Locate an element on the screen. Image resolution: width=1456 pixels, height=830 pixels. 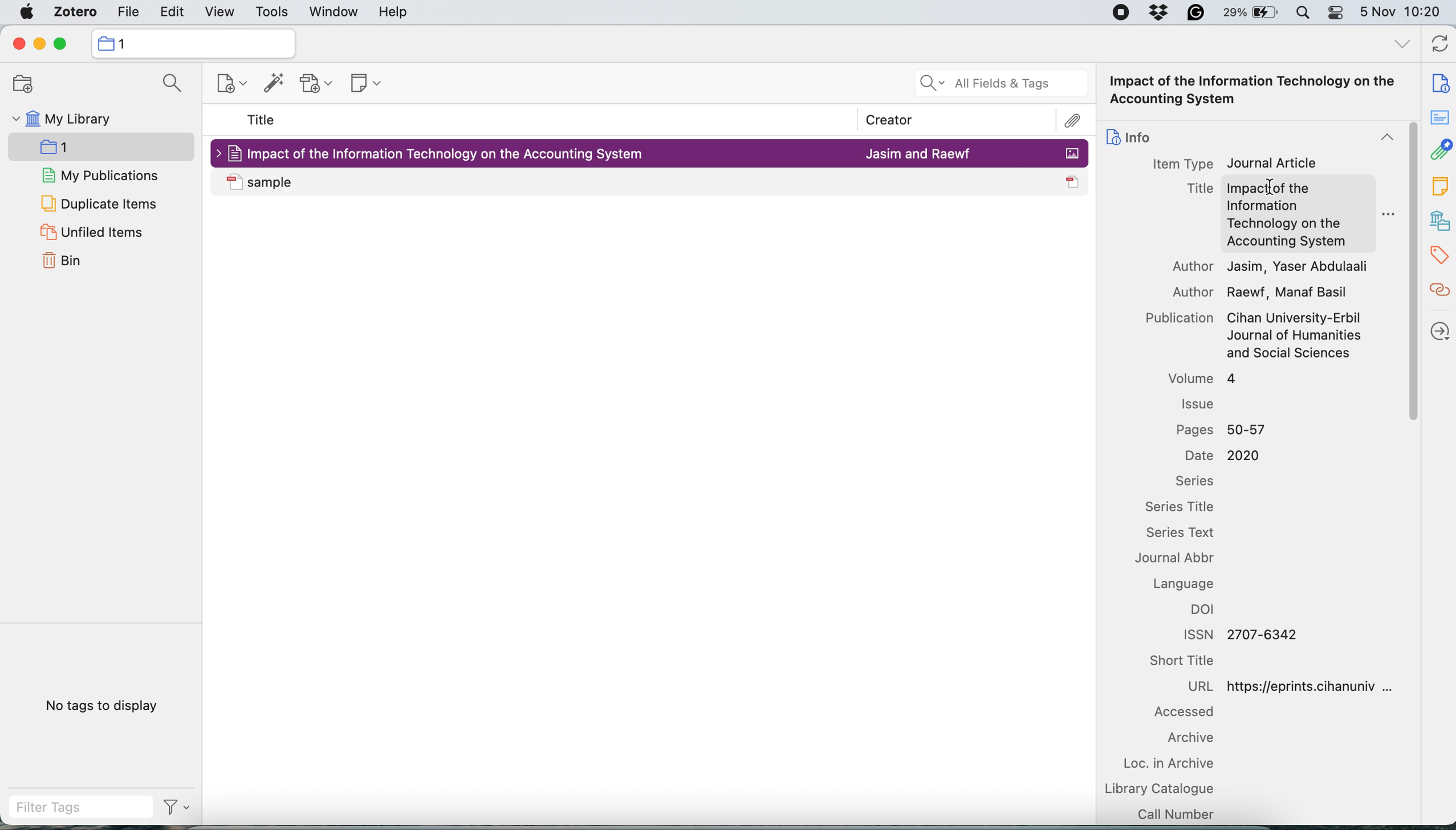
filter tags is located at coordinates (175, 807).